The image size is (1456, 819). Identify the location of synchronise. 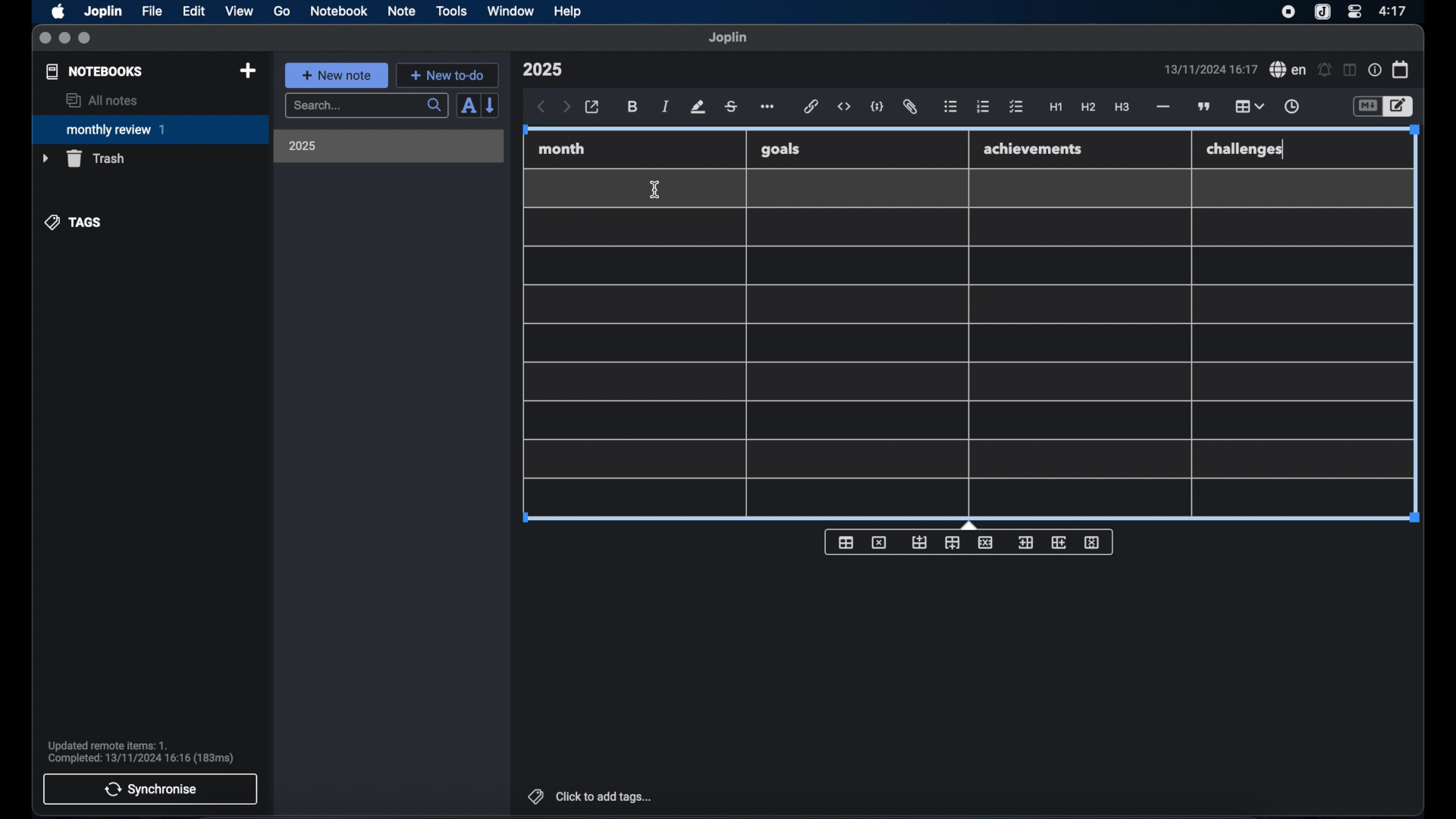
(150, 789).